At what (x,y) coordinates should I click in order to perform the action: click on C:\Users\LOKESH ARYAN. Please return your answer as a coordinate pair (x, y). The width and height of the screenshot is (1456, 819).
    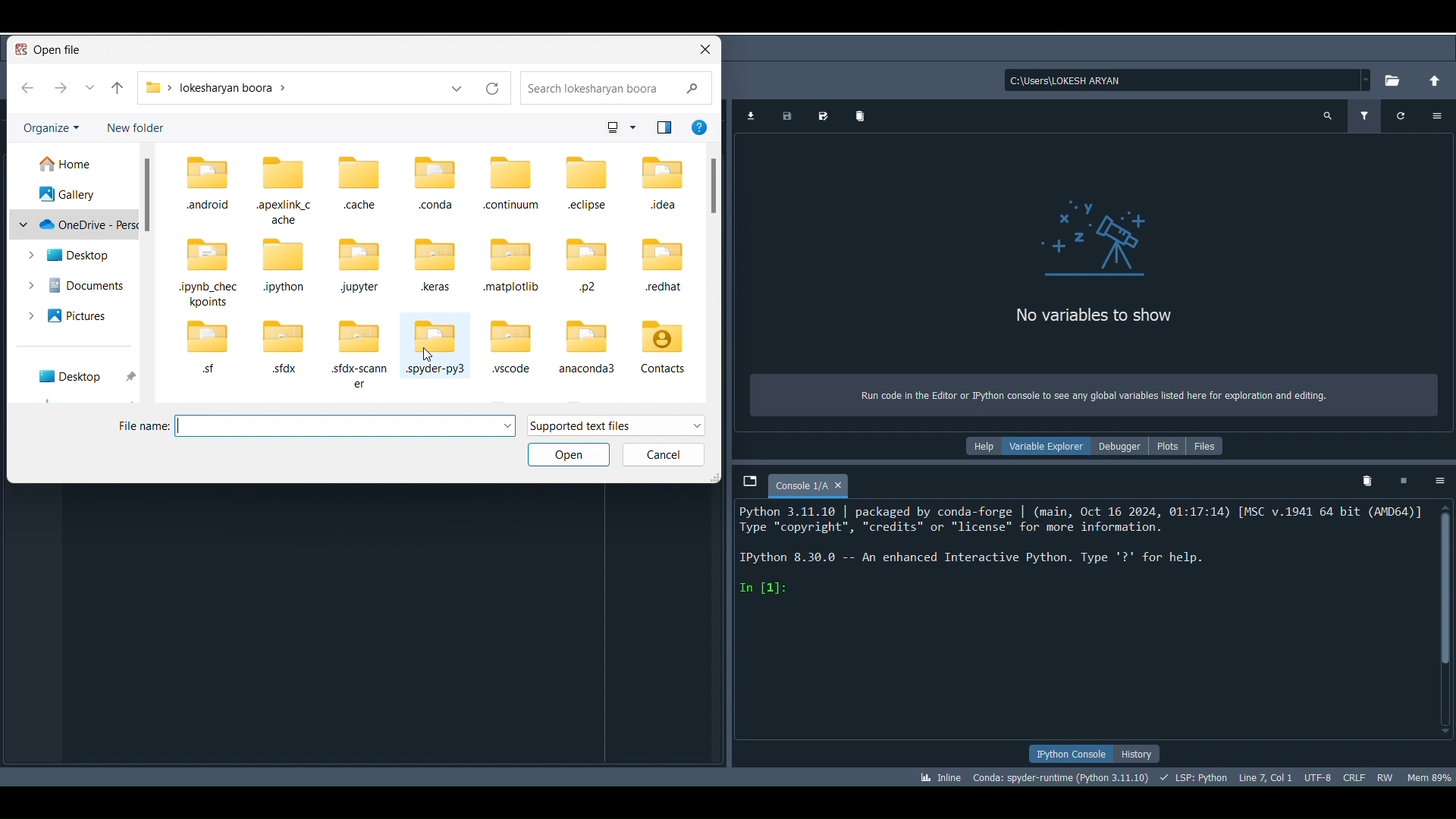
    Looking at the image, I should click on (1186, 78).